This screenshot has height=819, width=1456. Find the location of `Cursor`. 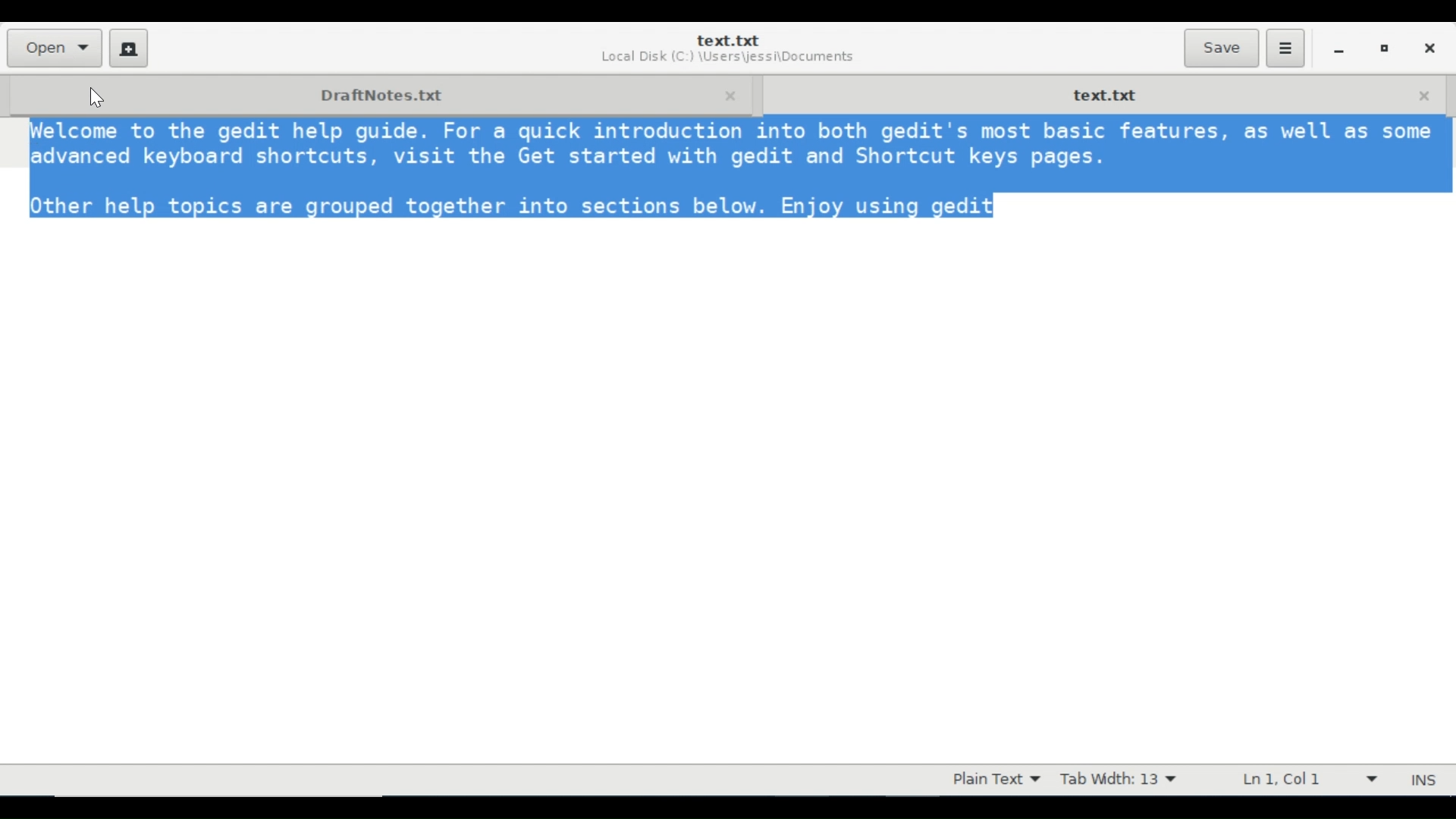

Cursor is located at coordinates (98, 96).